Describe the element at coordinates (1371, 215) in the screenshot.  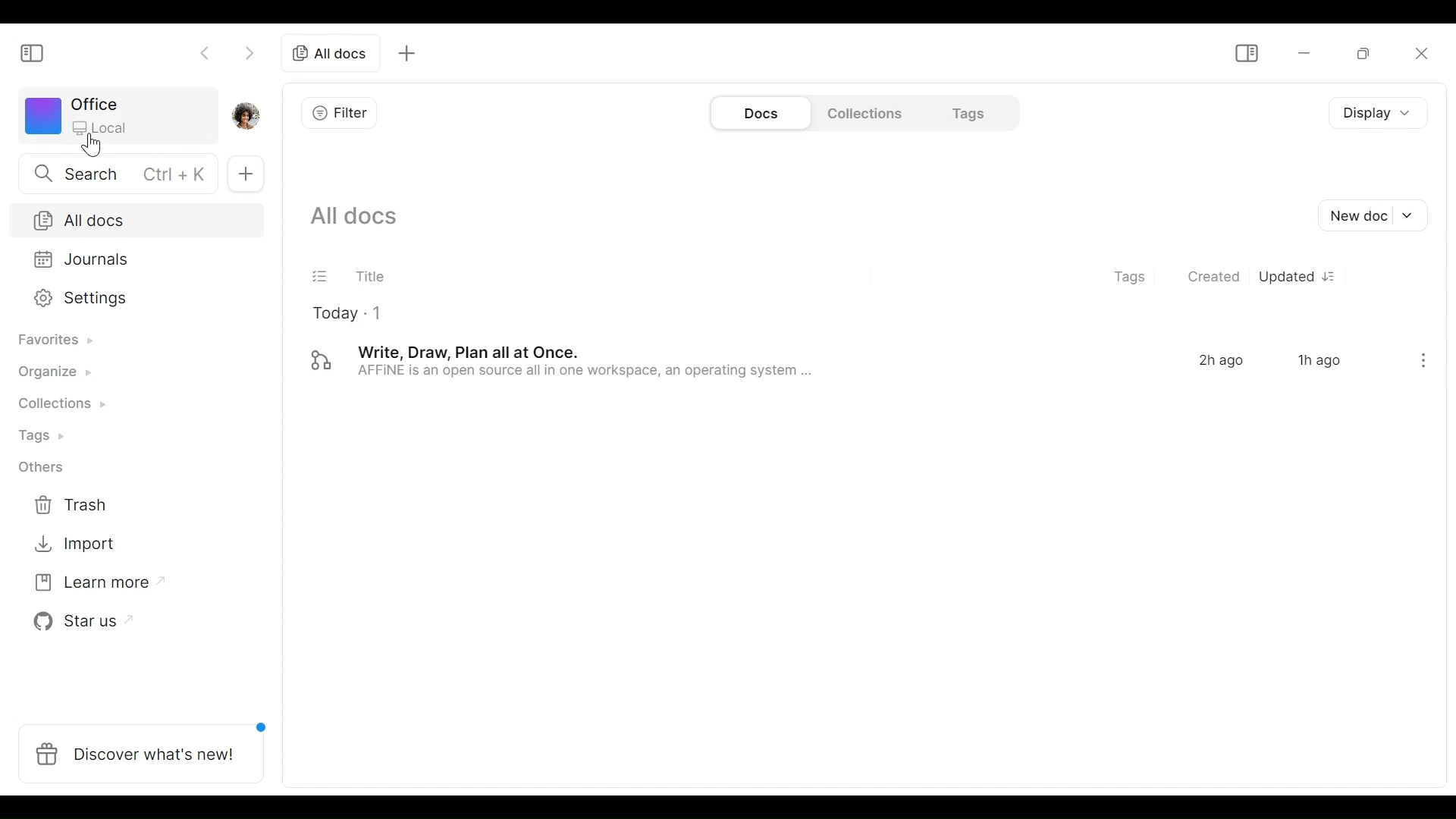
I see `New document` at that location.